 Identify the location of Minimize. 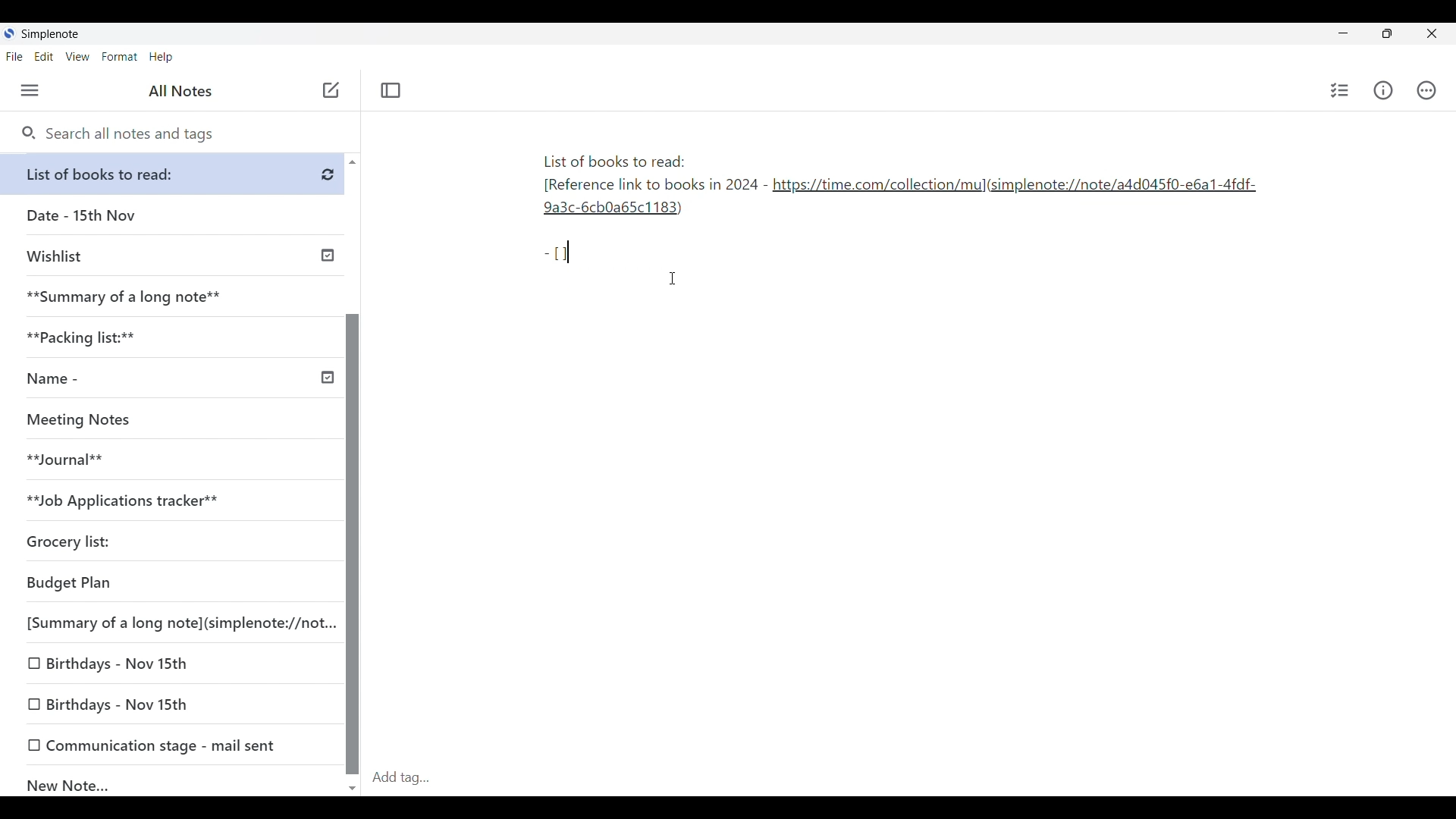
(1340, 32).